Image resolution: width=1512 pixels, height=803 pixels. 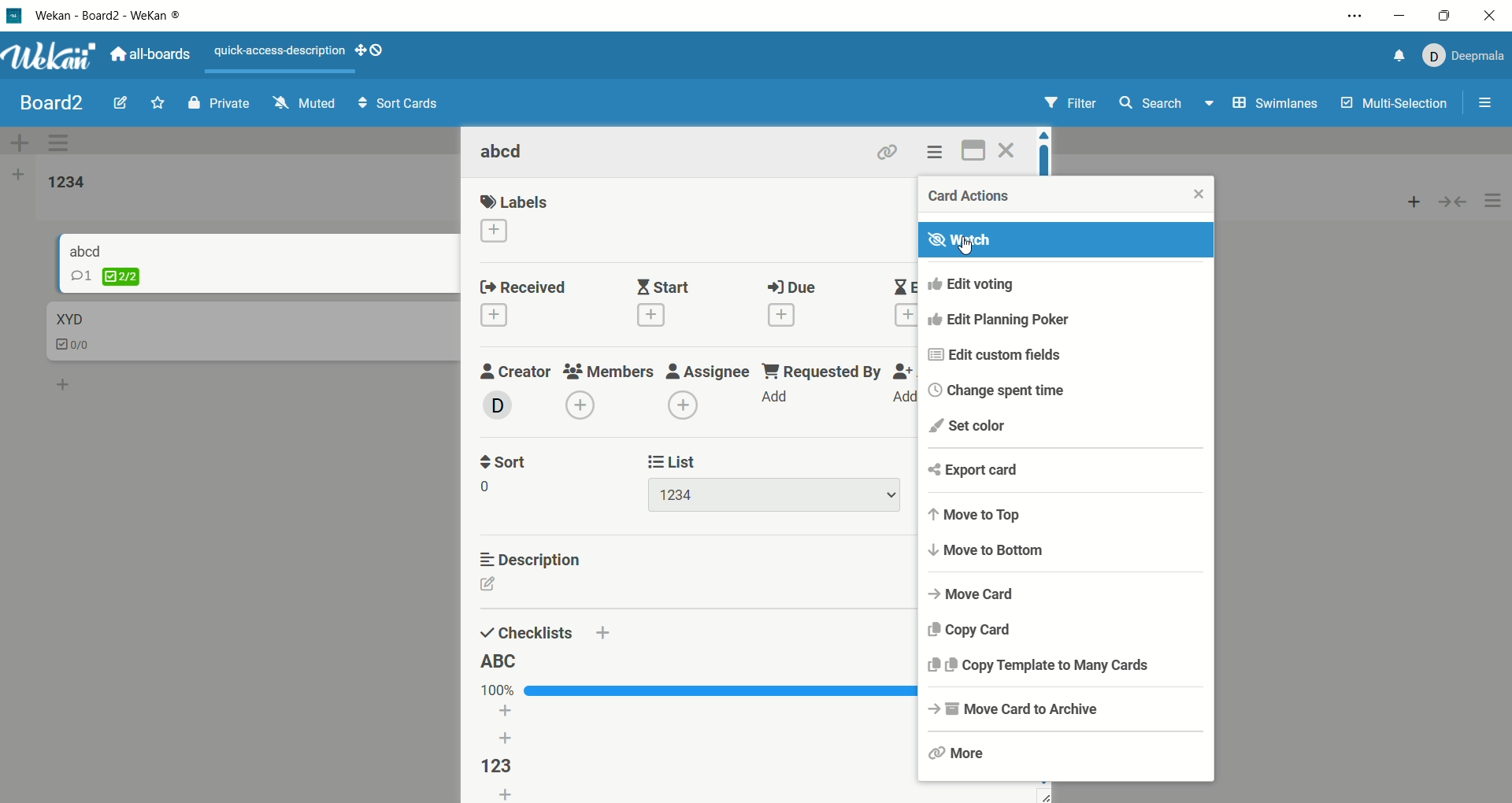 I want to click on maximize, so click(x=975, y=150).